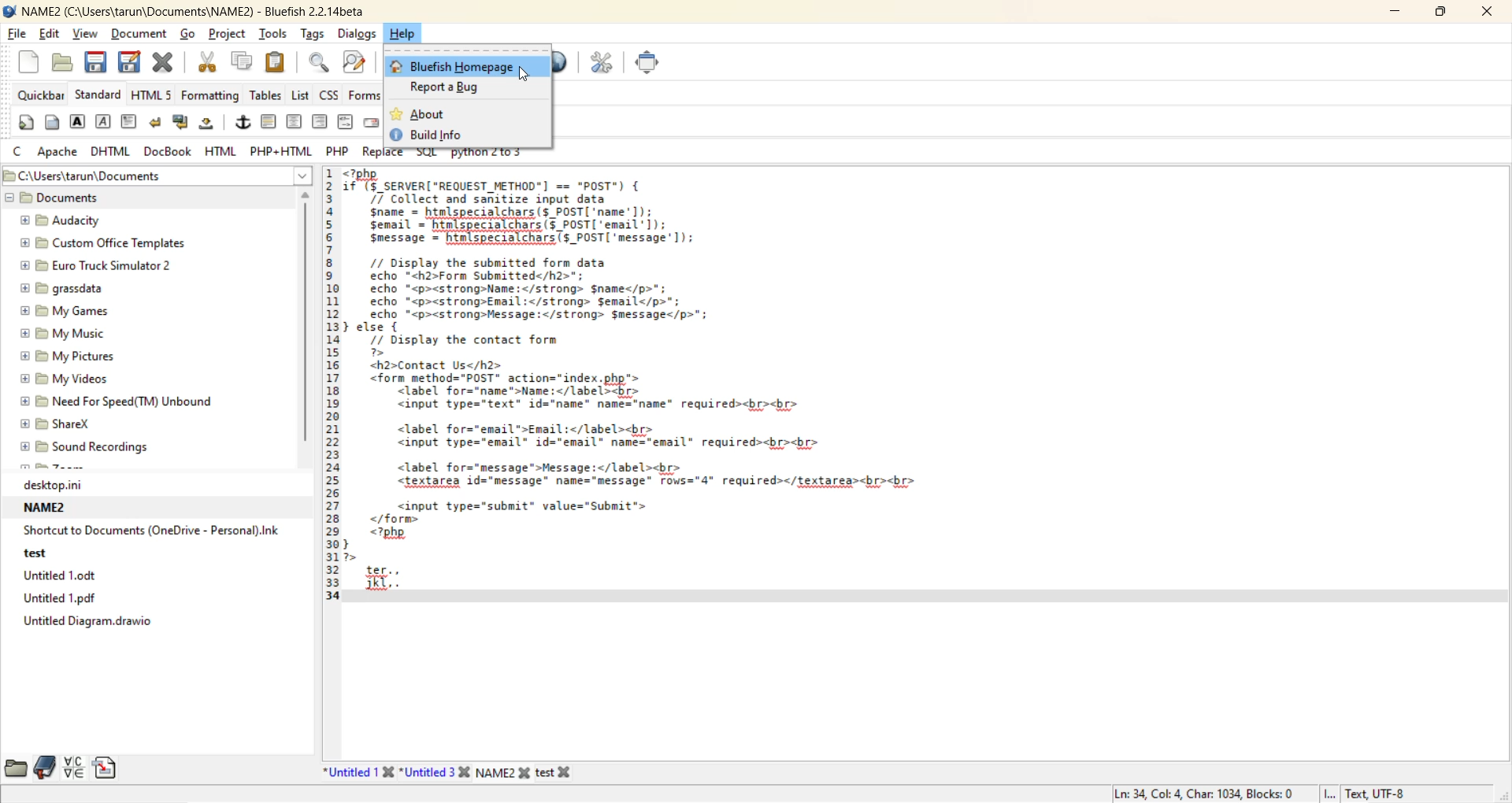  I want to click on find, so click(320, 64).